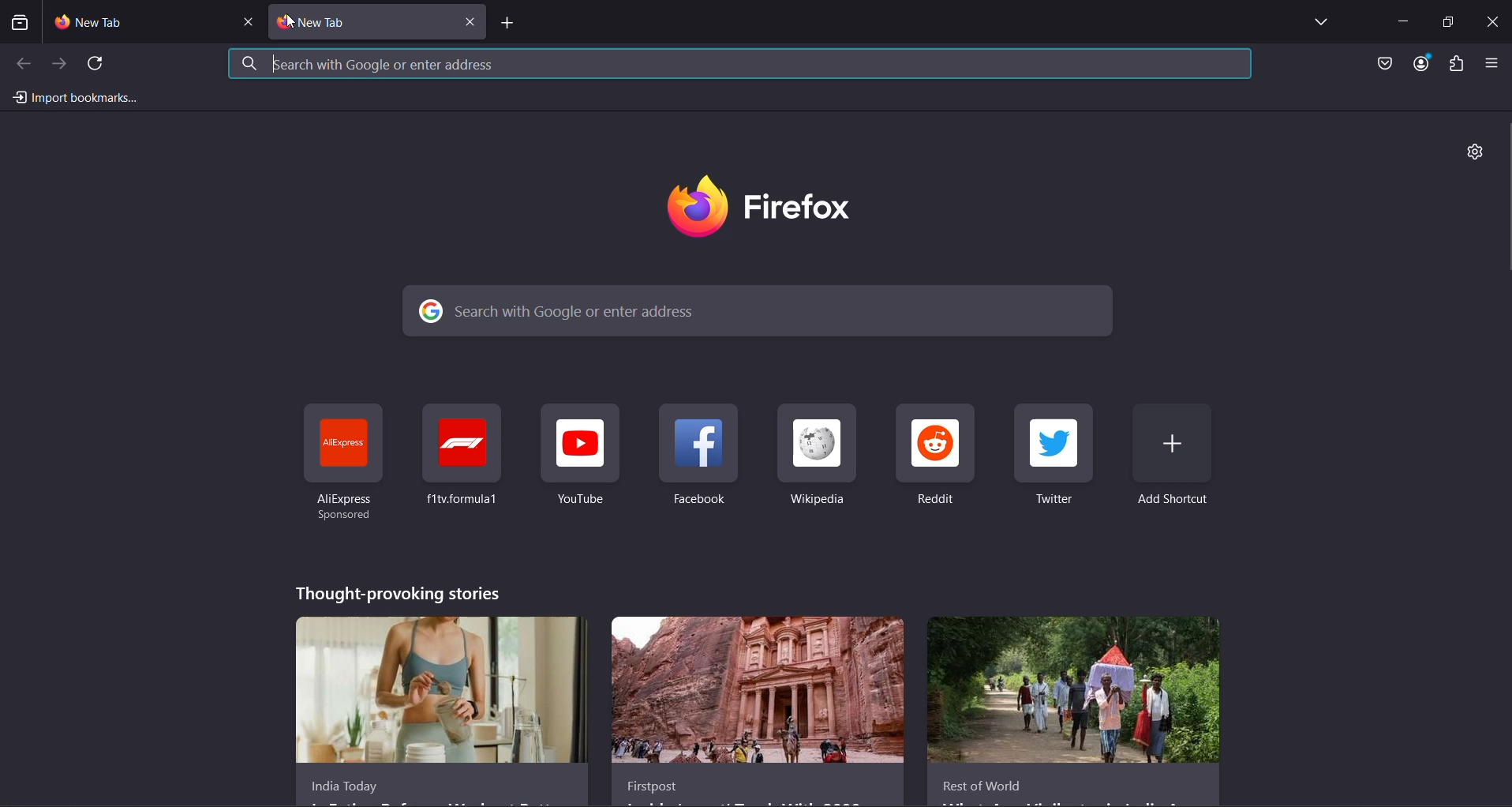 The image size is (1512, 807). I want to click on close tab, so click(248, 21).